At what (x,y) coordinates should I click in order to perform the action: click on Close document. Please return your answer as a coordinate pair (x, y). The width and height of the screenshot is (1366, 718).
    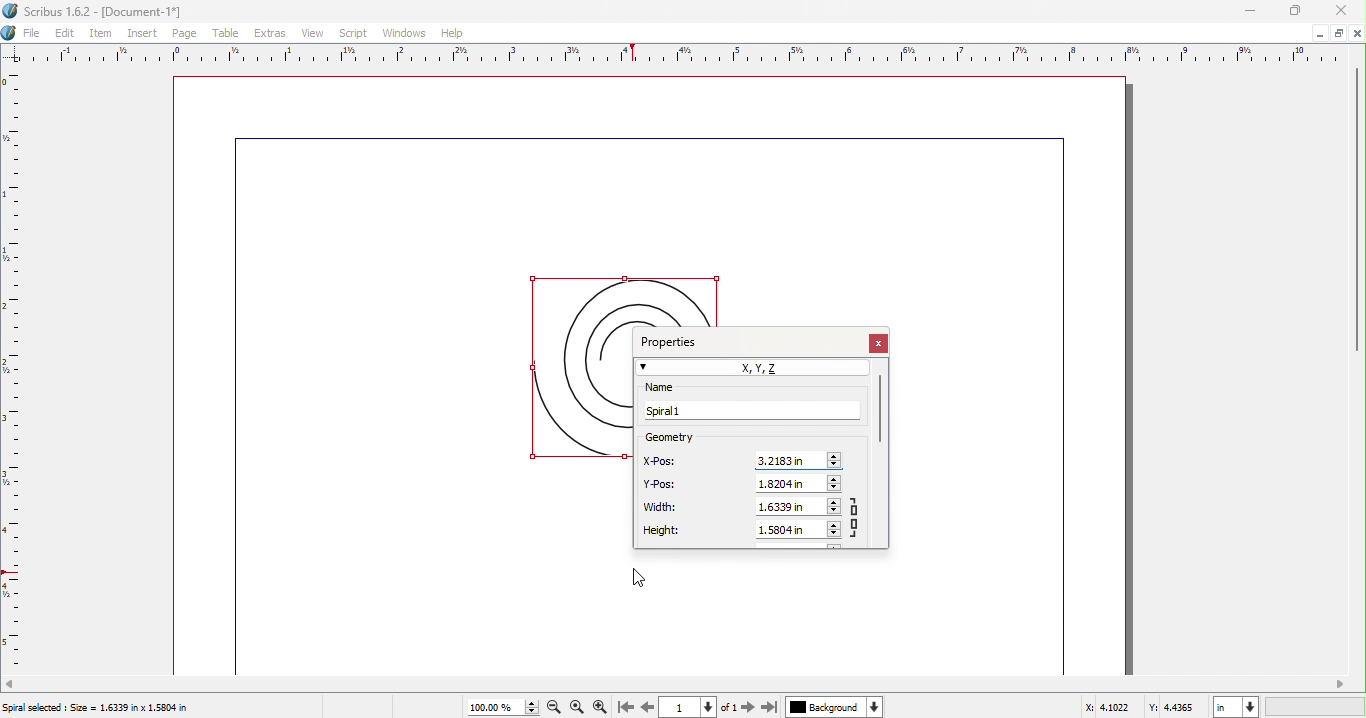
    Looking at the image, I should click on (1358, 33).